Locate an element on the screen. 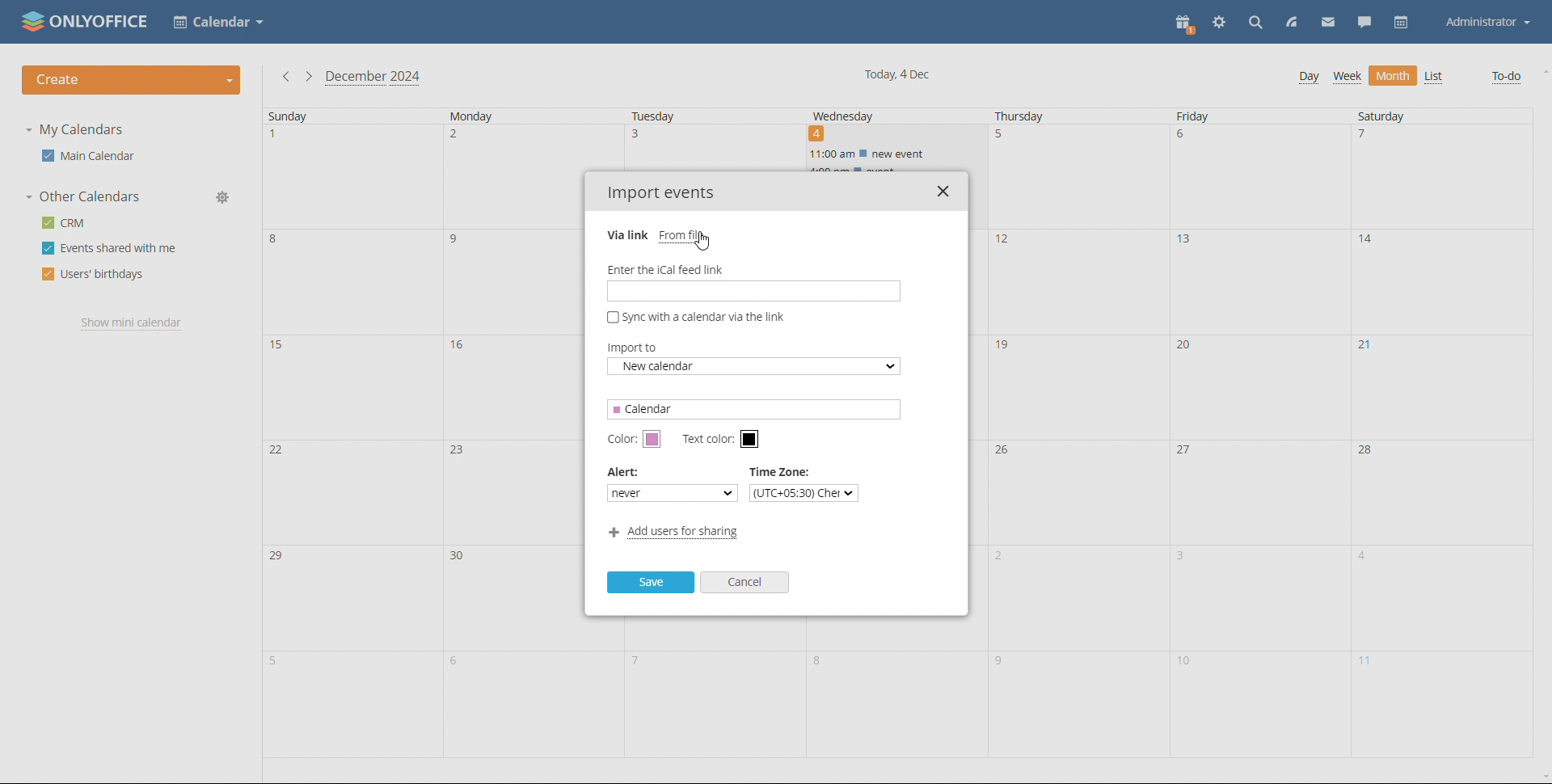 The height and width of the screenshot is (784, 1552). alert type is located at coordinates (673, 493).